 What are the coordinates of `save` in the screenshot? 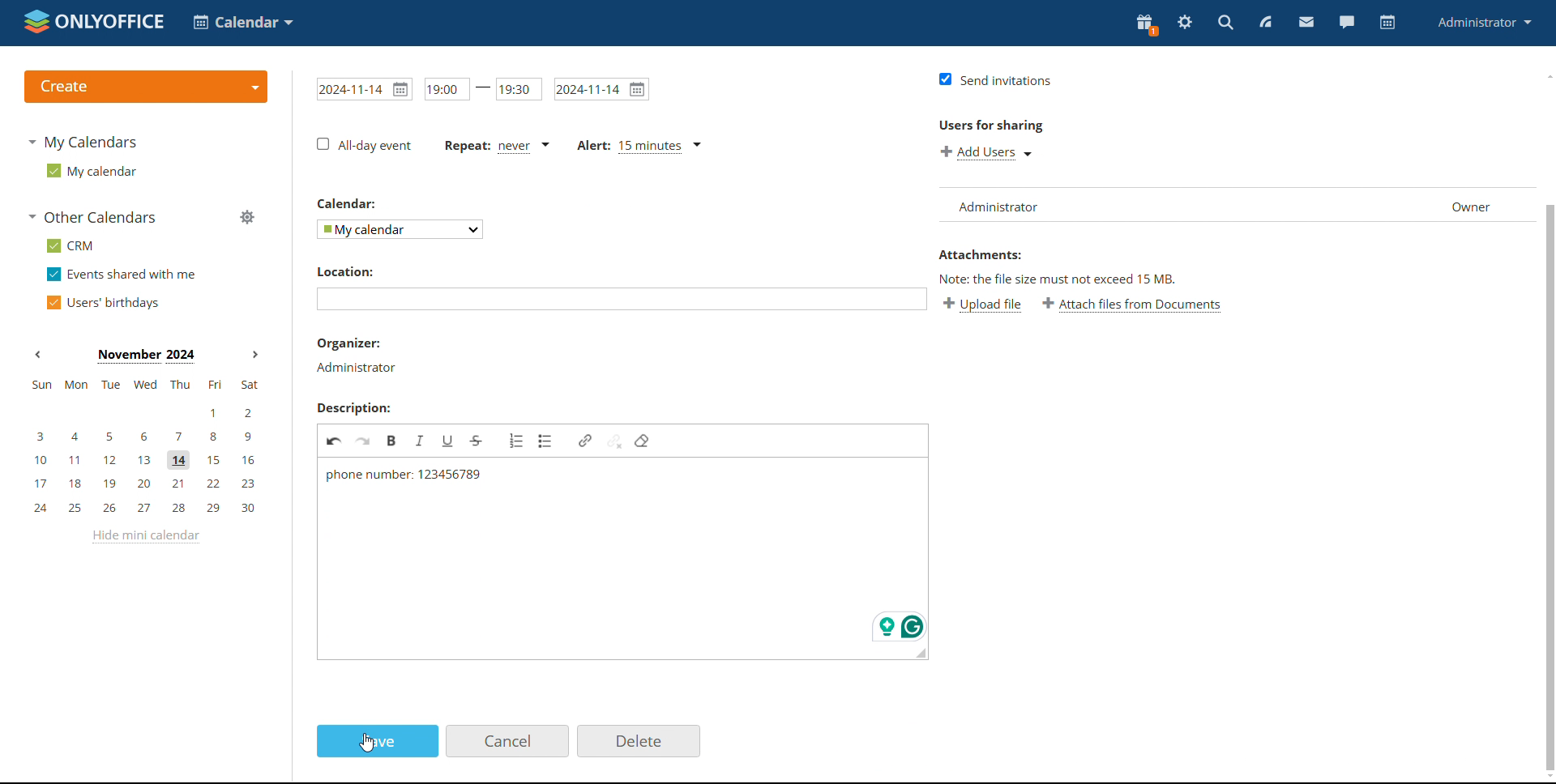 It's located at (378, 738).